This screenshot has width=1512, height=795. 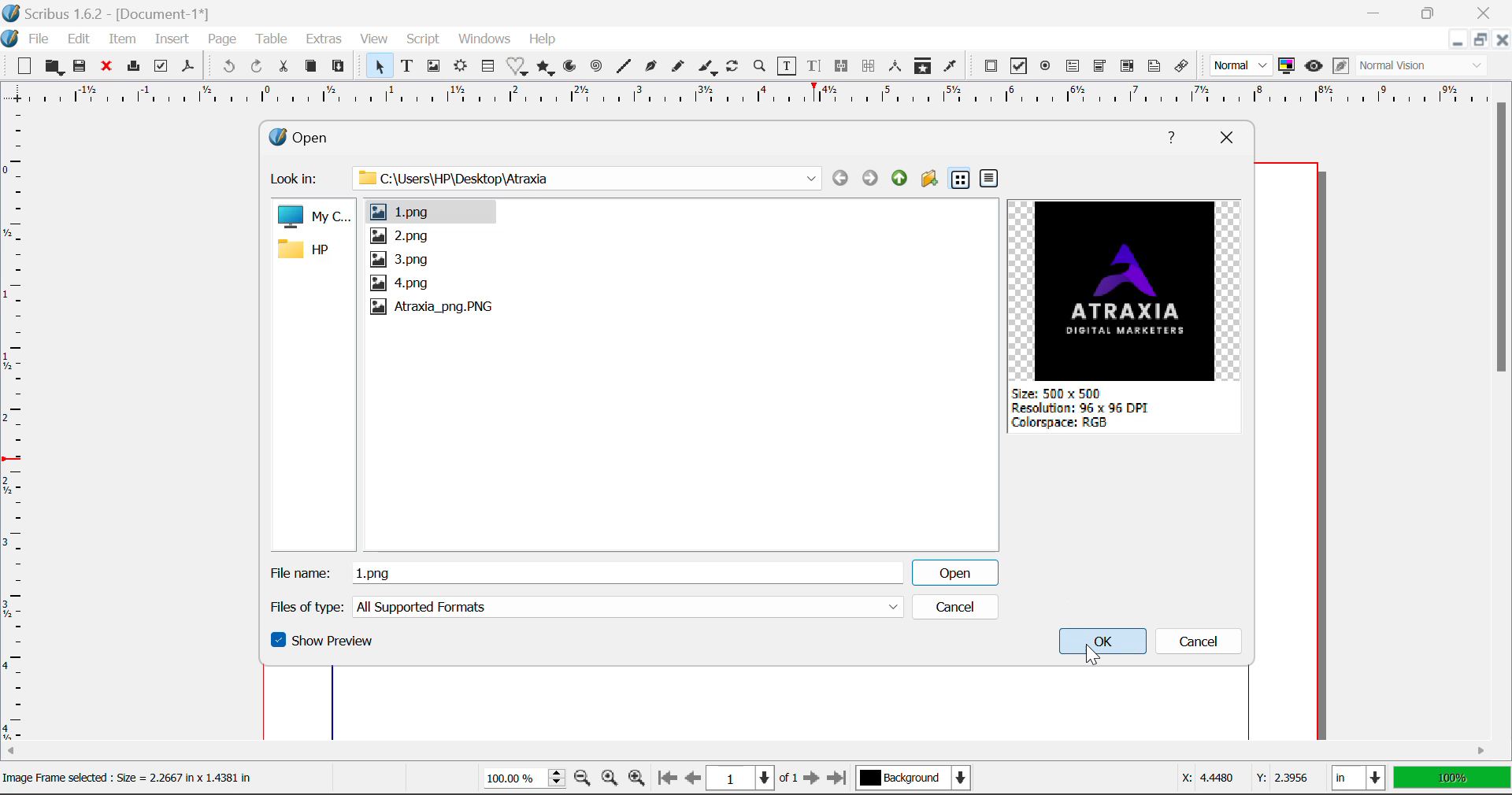 What do you see at coordinates (543, 39) in the screenshot?
I see `Help` at bounding box center [543, 39].